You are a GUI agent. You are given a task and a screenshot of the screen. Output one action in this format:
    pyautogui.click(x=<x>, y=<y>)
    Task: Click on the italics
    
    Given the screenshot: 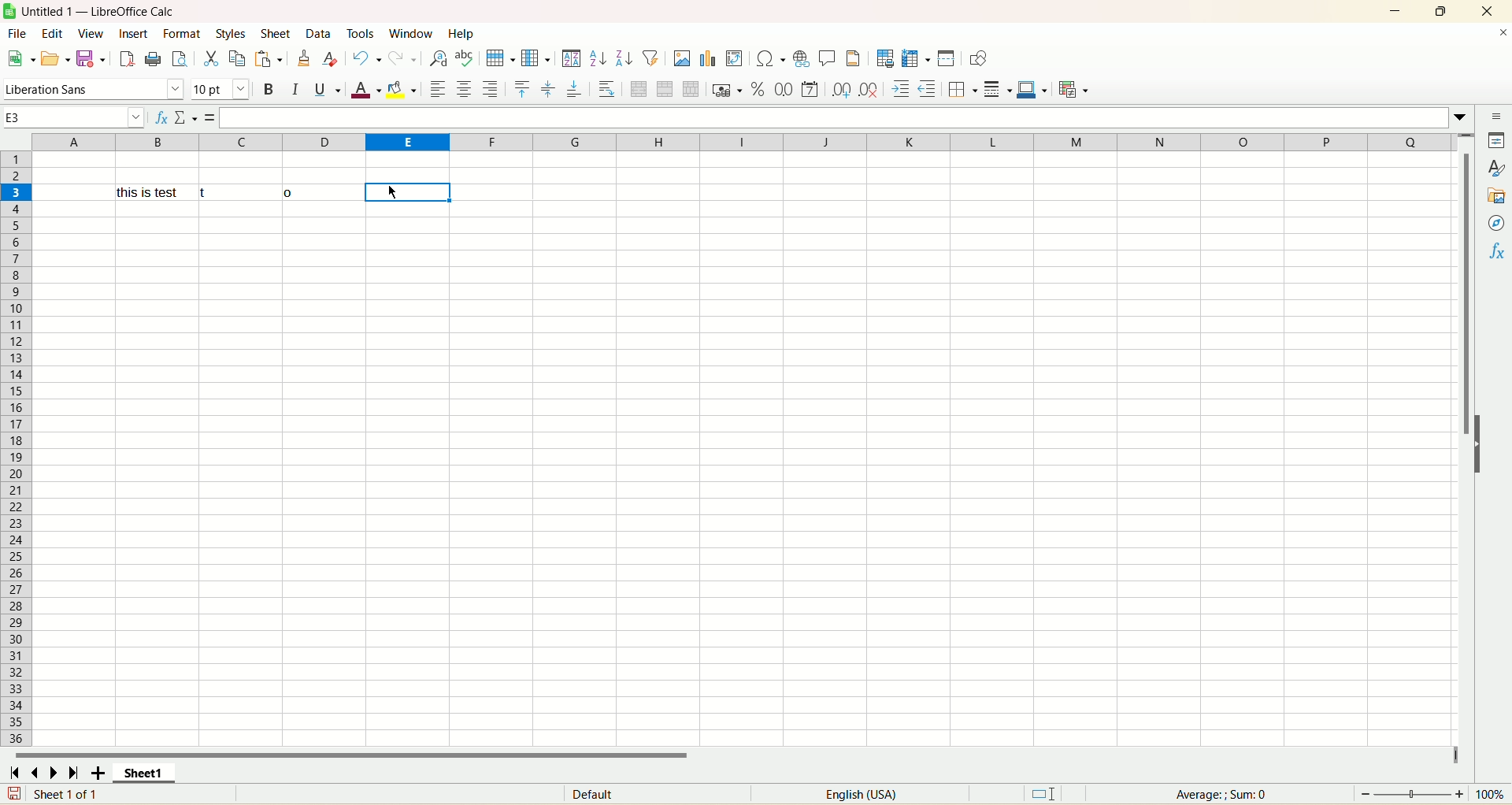 What is the action you would take?
    pyautogui.click(x=297, y=91)
    